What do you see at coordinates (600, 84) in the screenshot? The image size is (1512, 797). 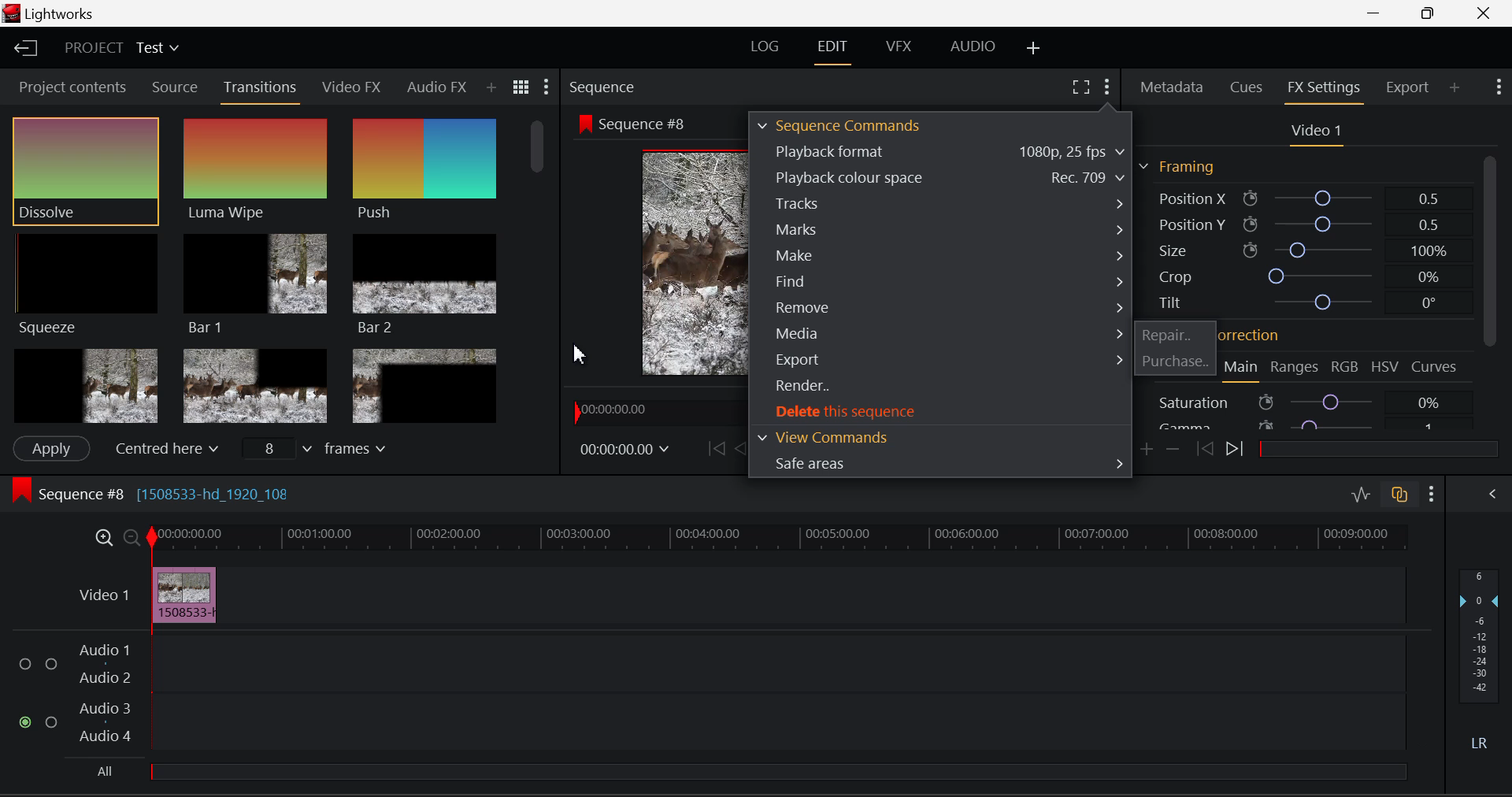 I see `Sequence Preview Section` at bounding box center [600, 84].